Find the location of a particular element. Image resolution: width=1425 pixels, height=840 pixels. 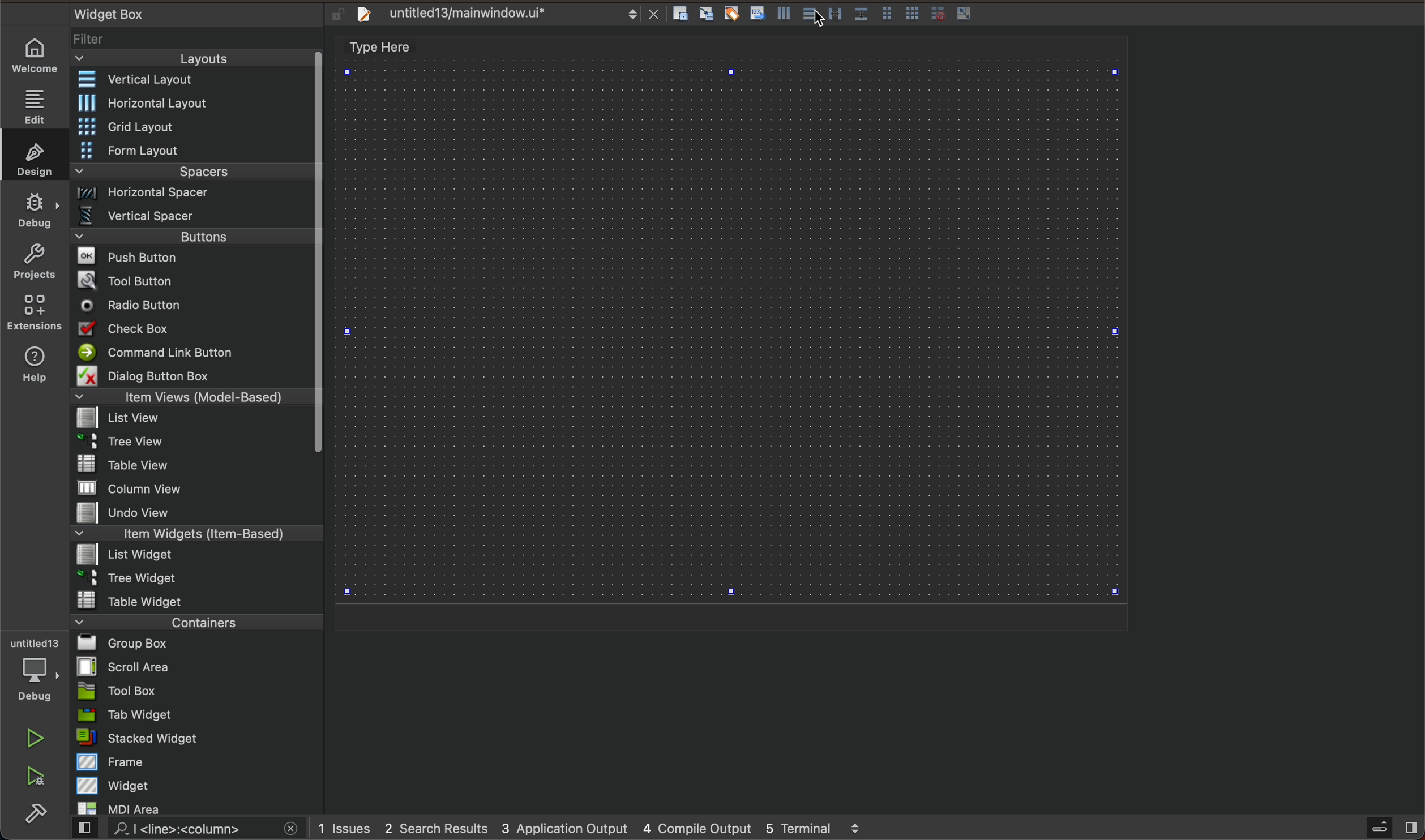

 is located at coordinates (682, 14).